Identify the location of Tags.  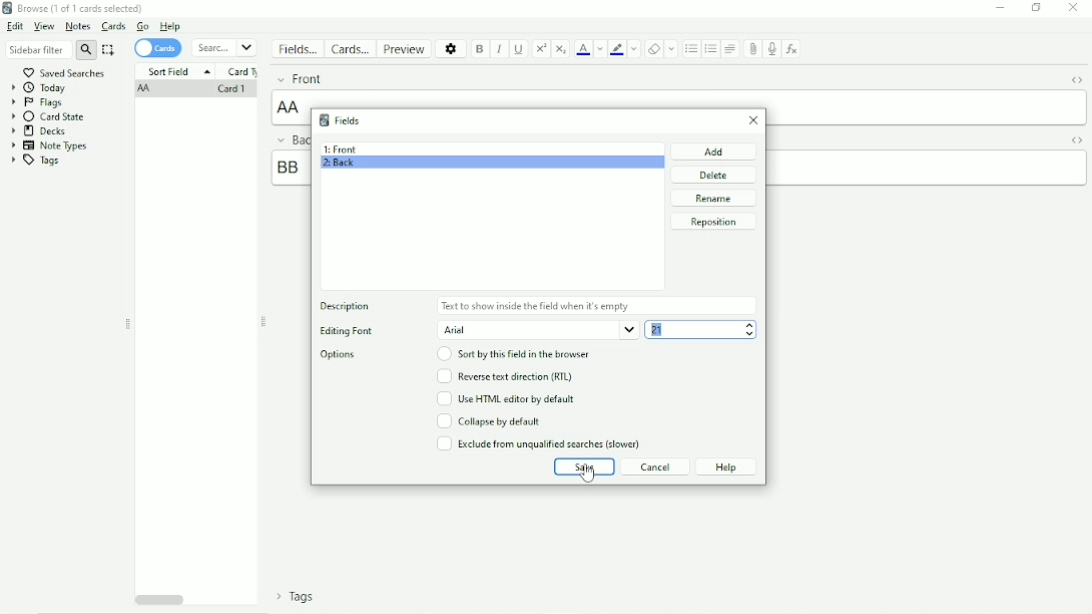
(296, 596).